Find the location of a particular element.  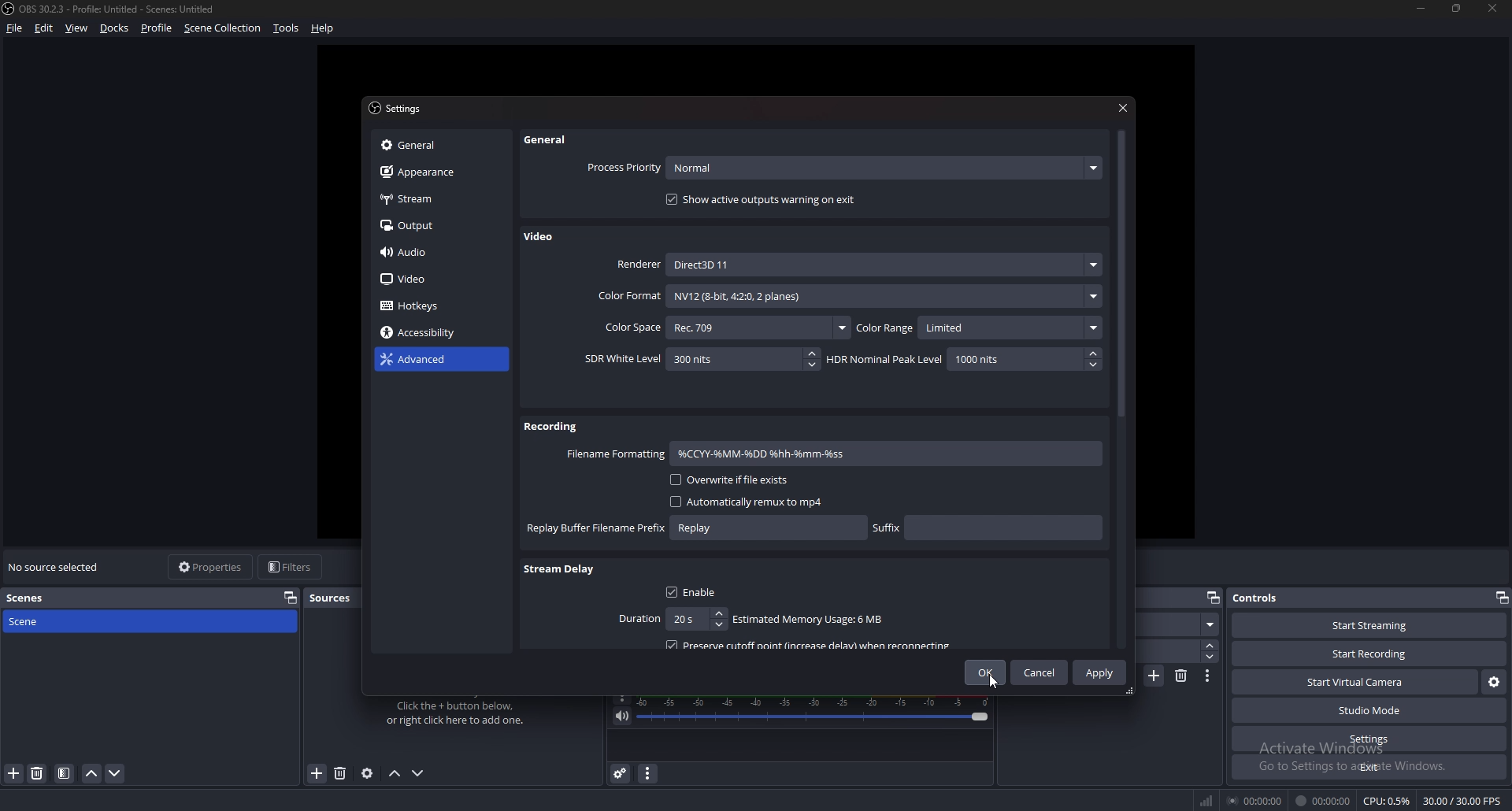

Show active outputs warning on exit is located at coordinates (764, 199).